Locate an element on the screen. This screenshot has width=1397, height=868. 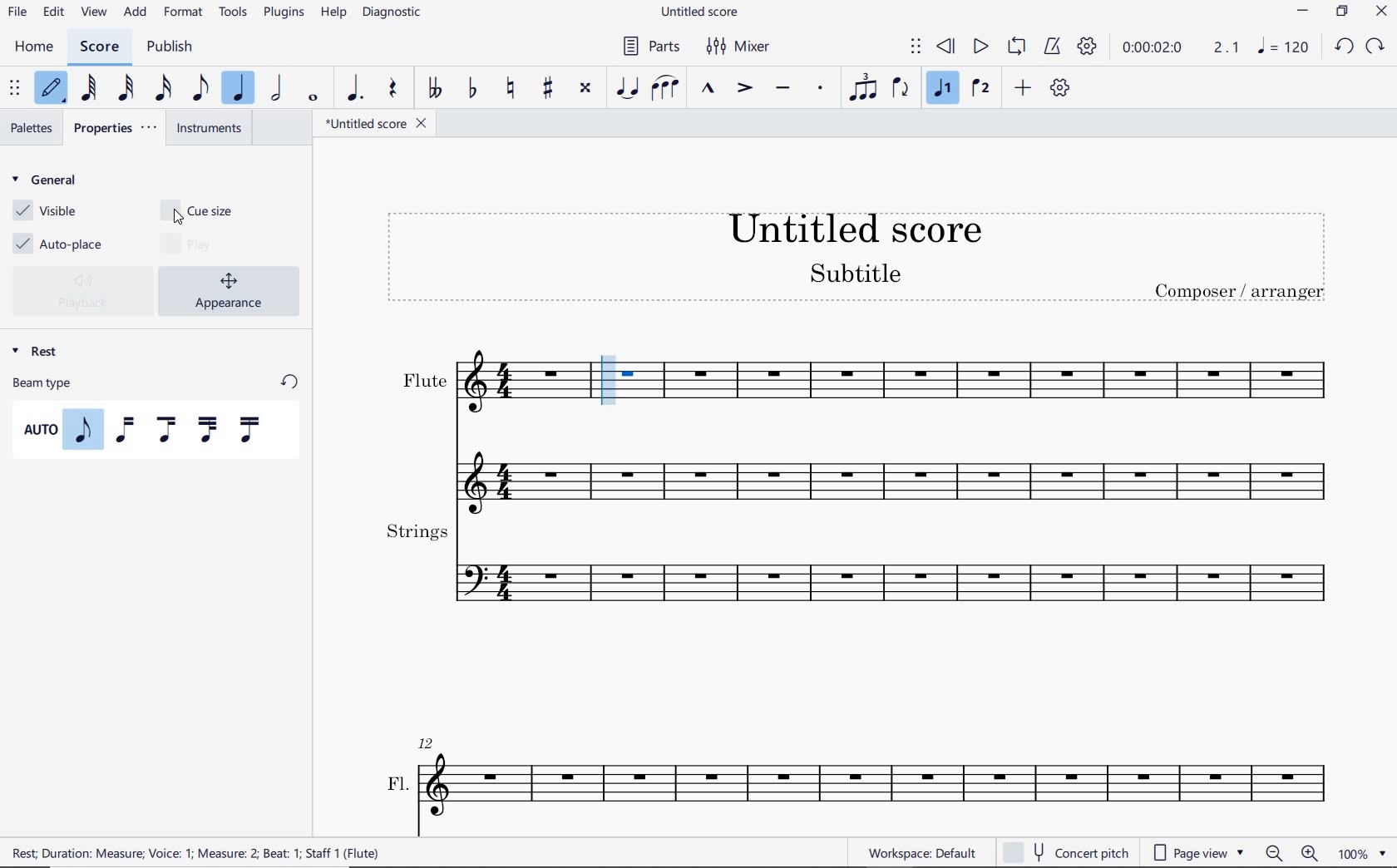
close is located at coordinates (1381, 12).